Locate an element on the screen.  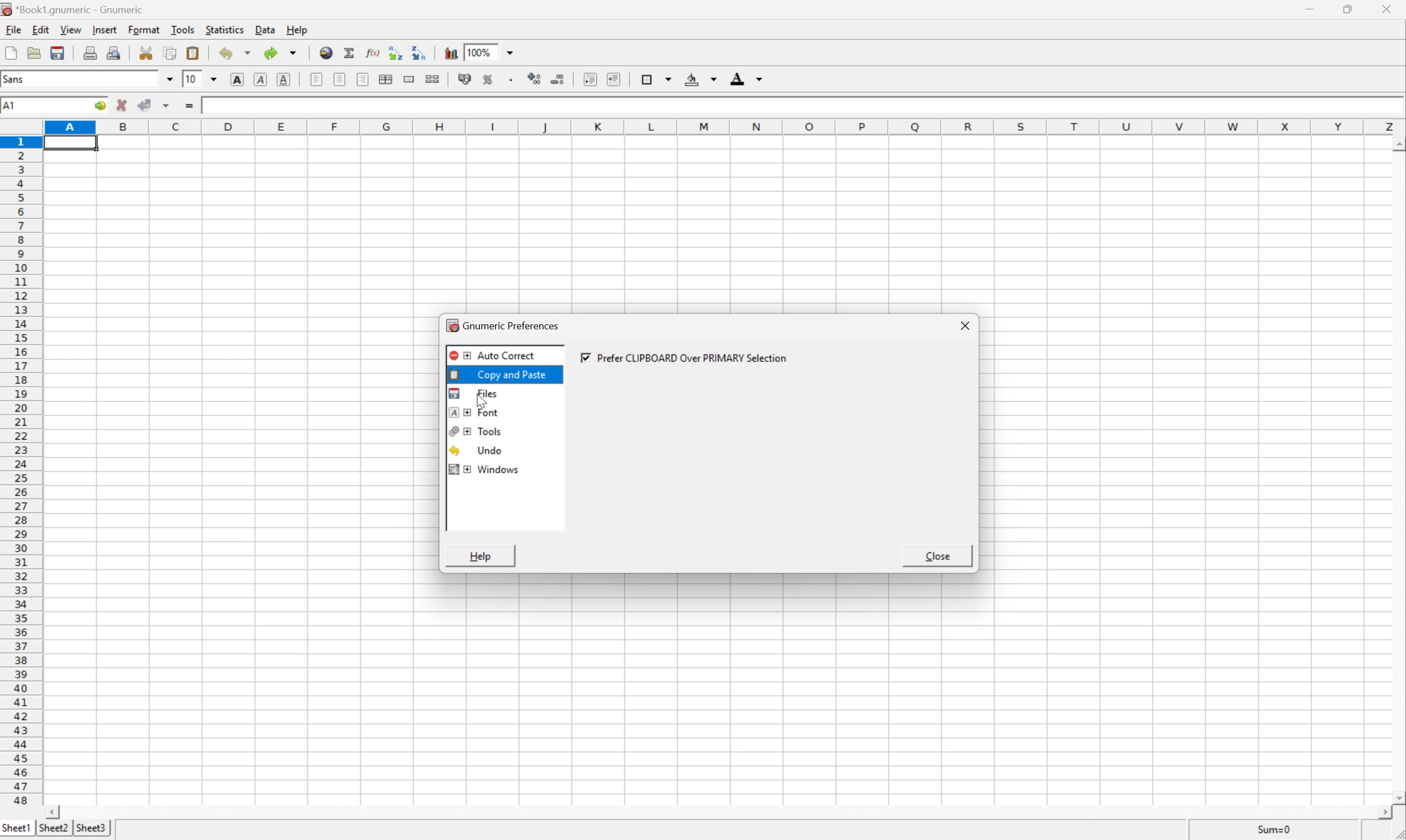
windows is located at coordinates (488, 471).